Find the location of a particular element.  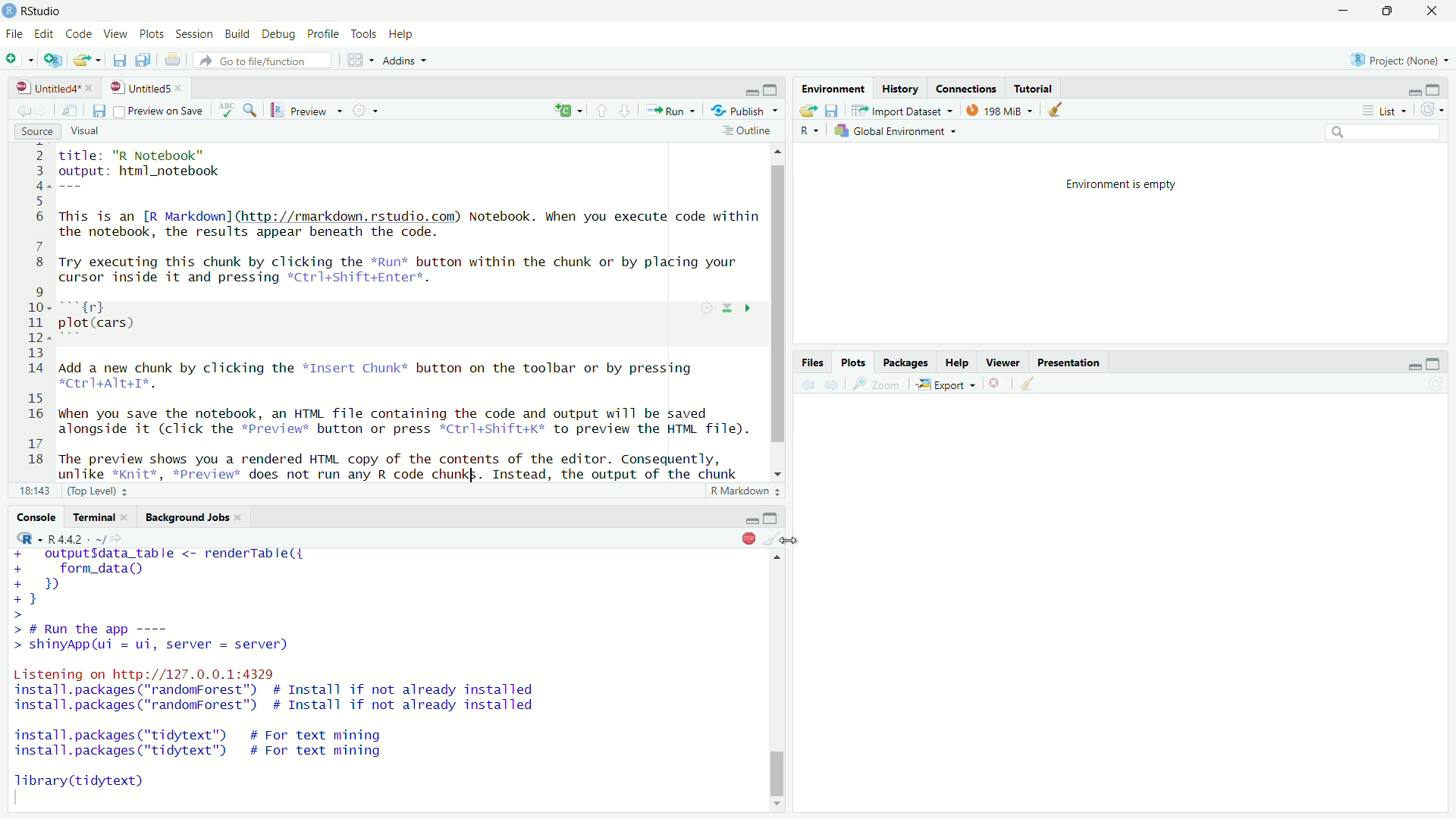

cursor is located at coordinates (789, 539).